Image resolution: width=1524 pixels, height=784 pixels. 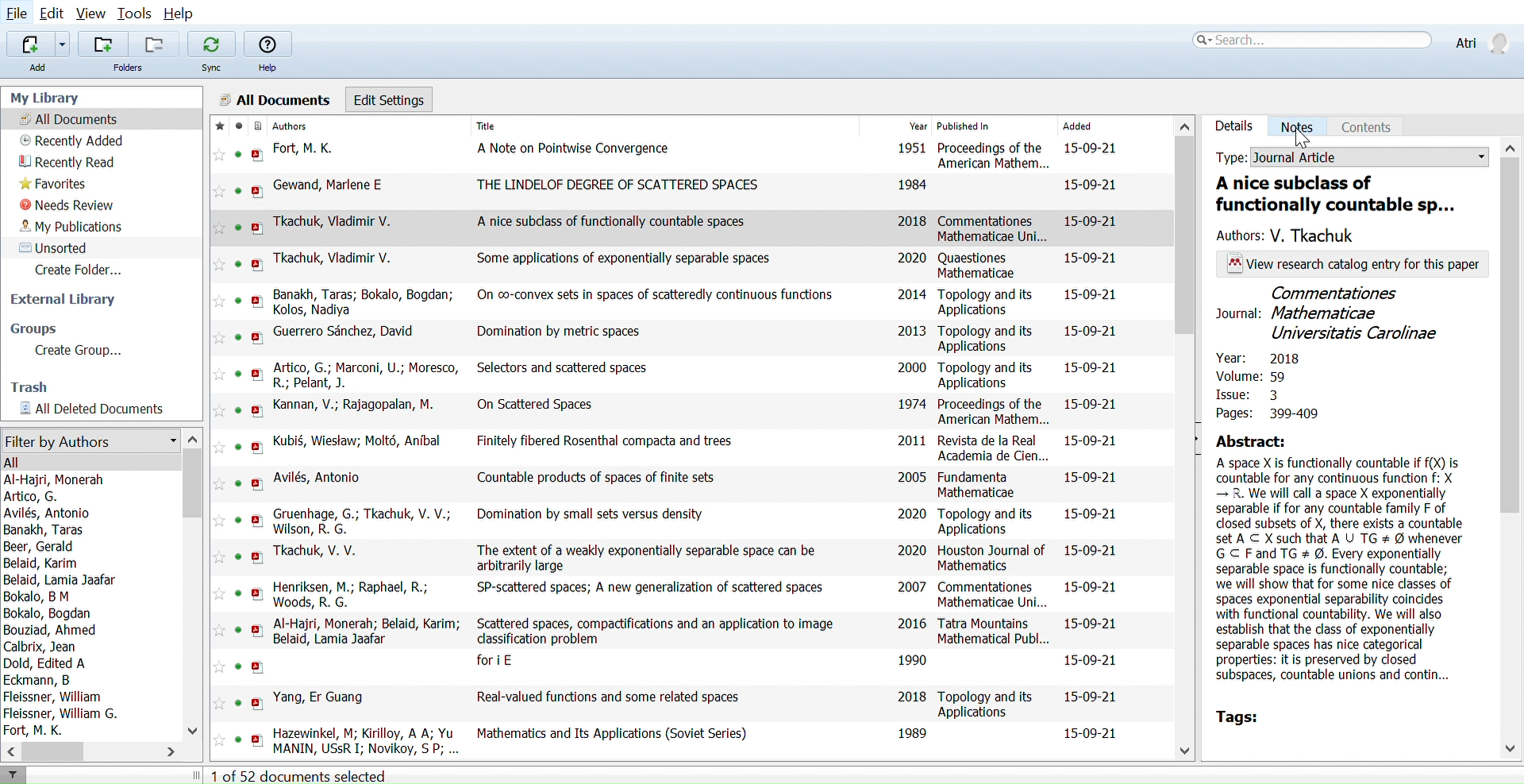 What do you see at coordinates (987, 302) in the screenshot?
I see `Topology and its Applications` at bounding box center [987, 302].